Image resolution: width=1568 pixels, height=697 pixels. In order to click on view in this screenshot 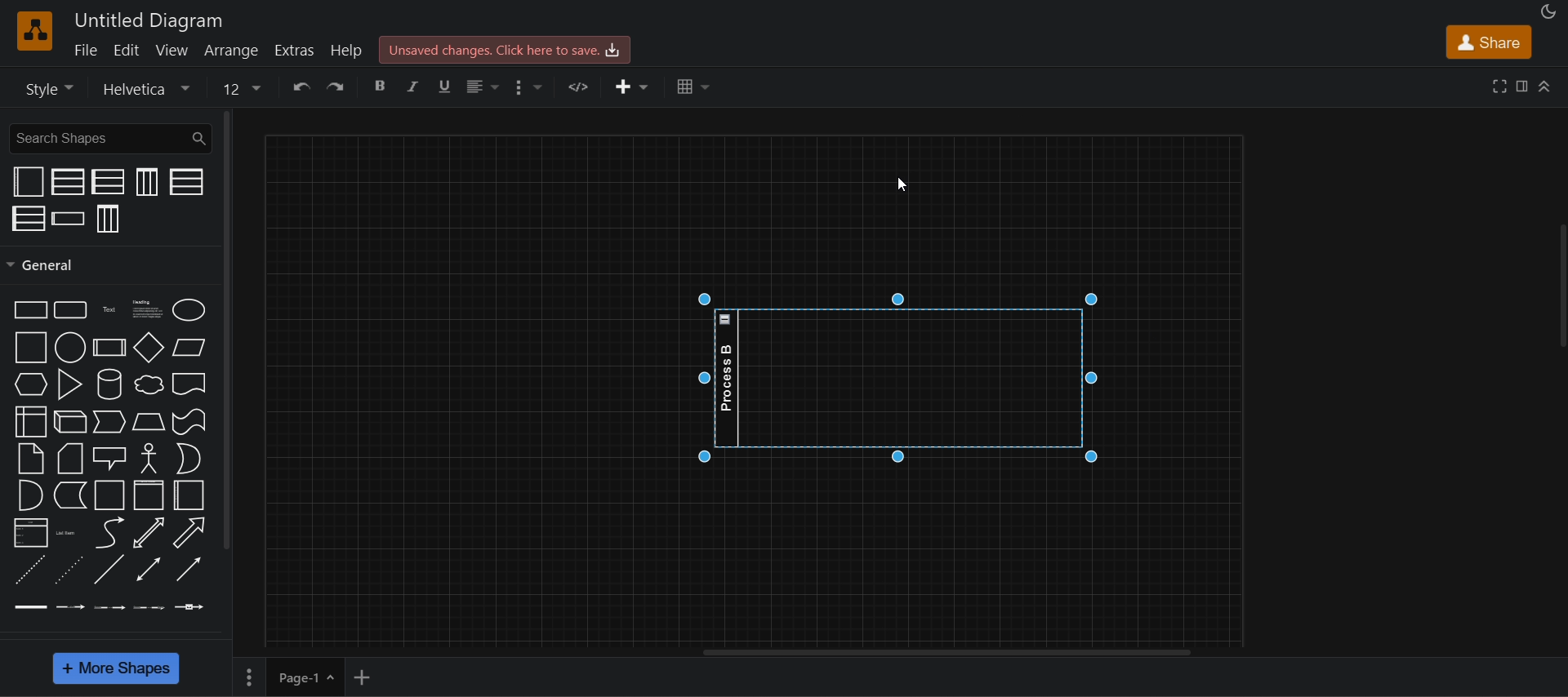, I will do `click(172, 48)`.